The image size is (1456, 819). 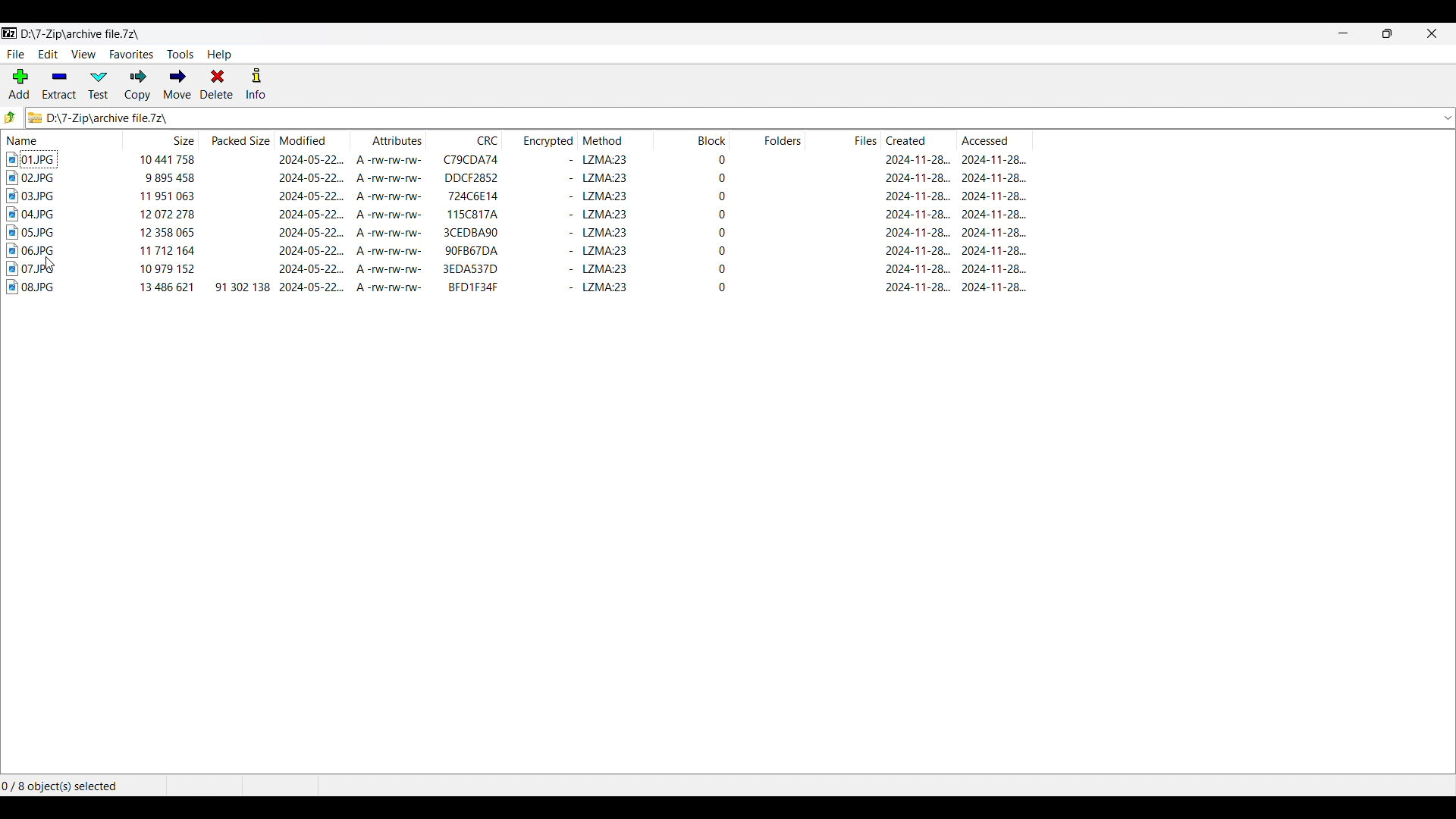 I want to click on Size column, so click(x=160, y=140).